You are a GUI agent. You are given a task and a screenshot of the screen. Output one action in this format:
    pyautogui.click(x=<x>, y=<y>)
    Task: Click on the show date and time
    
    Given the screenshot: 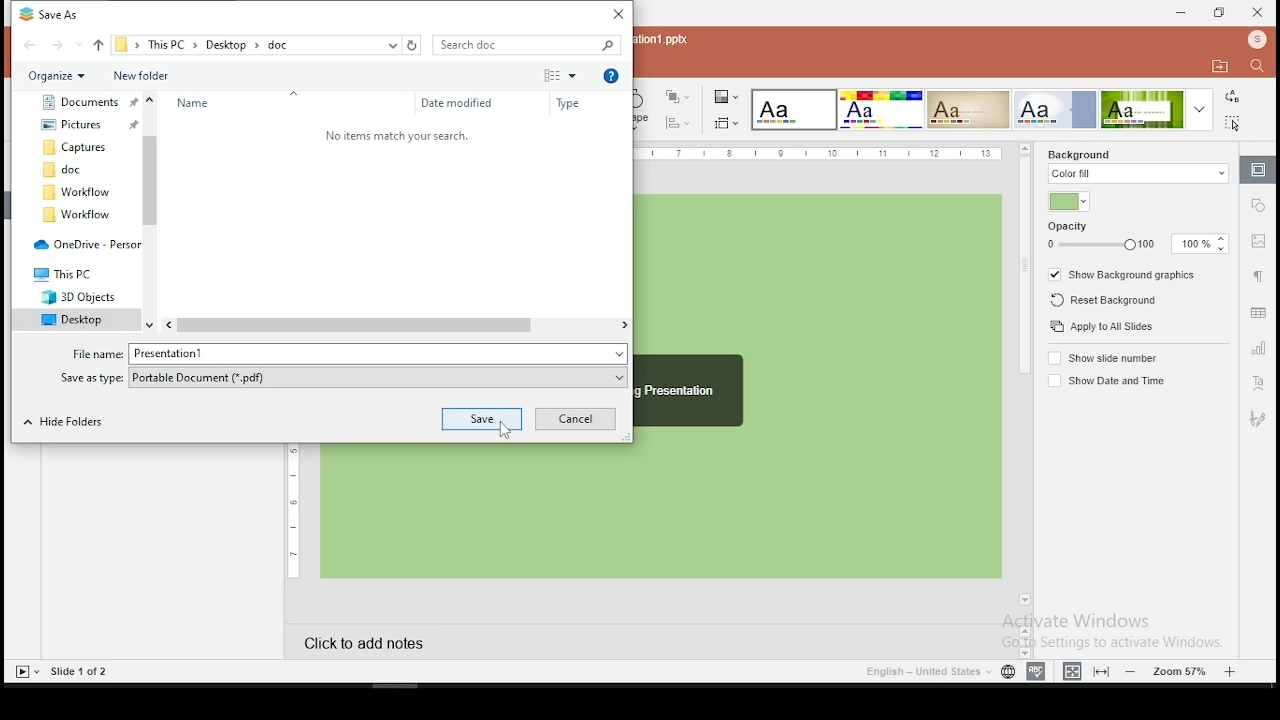 What is the action you would take?
    pyautogui.click(x=1105, y=380)
    